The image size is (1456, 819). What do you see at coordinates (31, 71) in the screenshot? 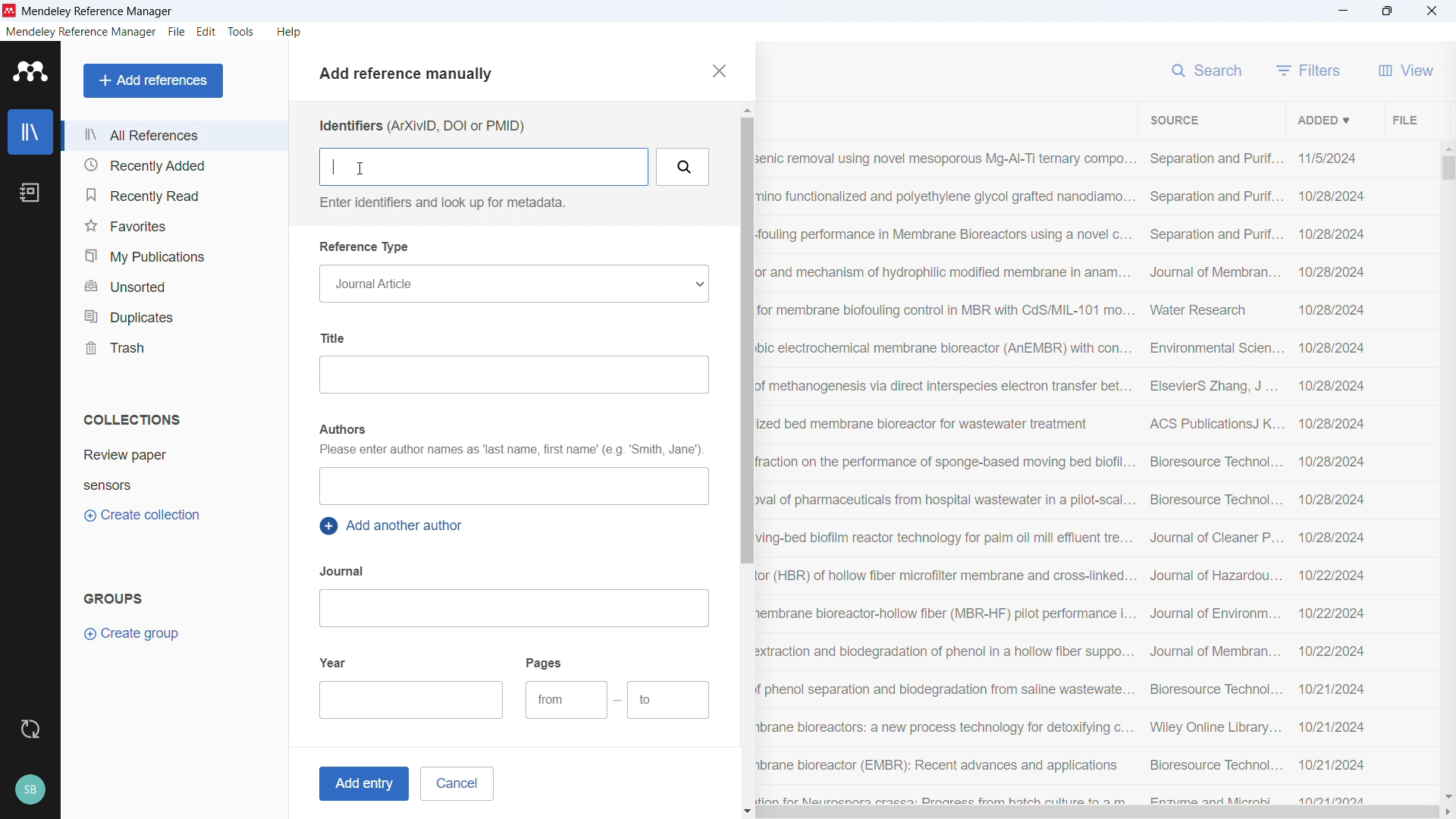
I see `Logo ` at bounding box center [31, 71].